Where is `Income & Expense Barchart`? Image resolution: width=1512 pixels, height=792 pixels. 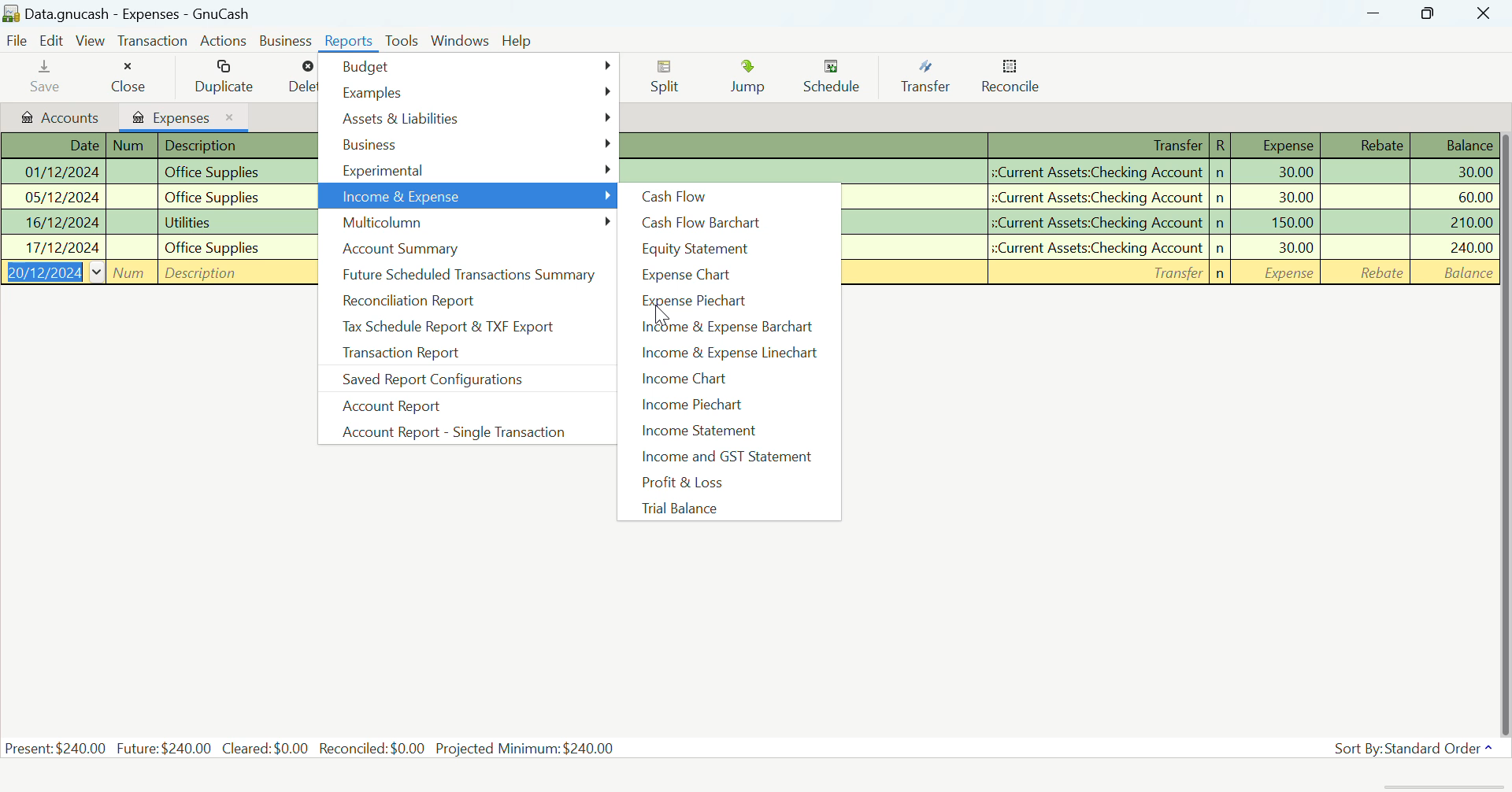
Income & Expense Barchart is located at coordinates (729, 329).